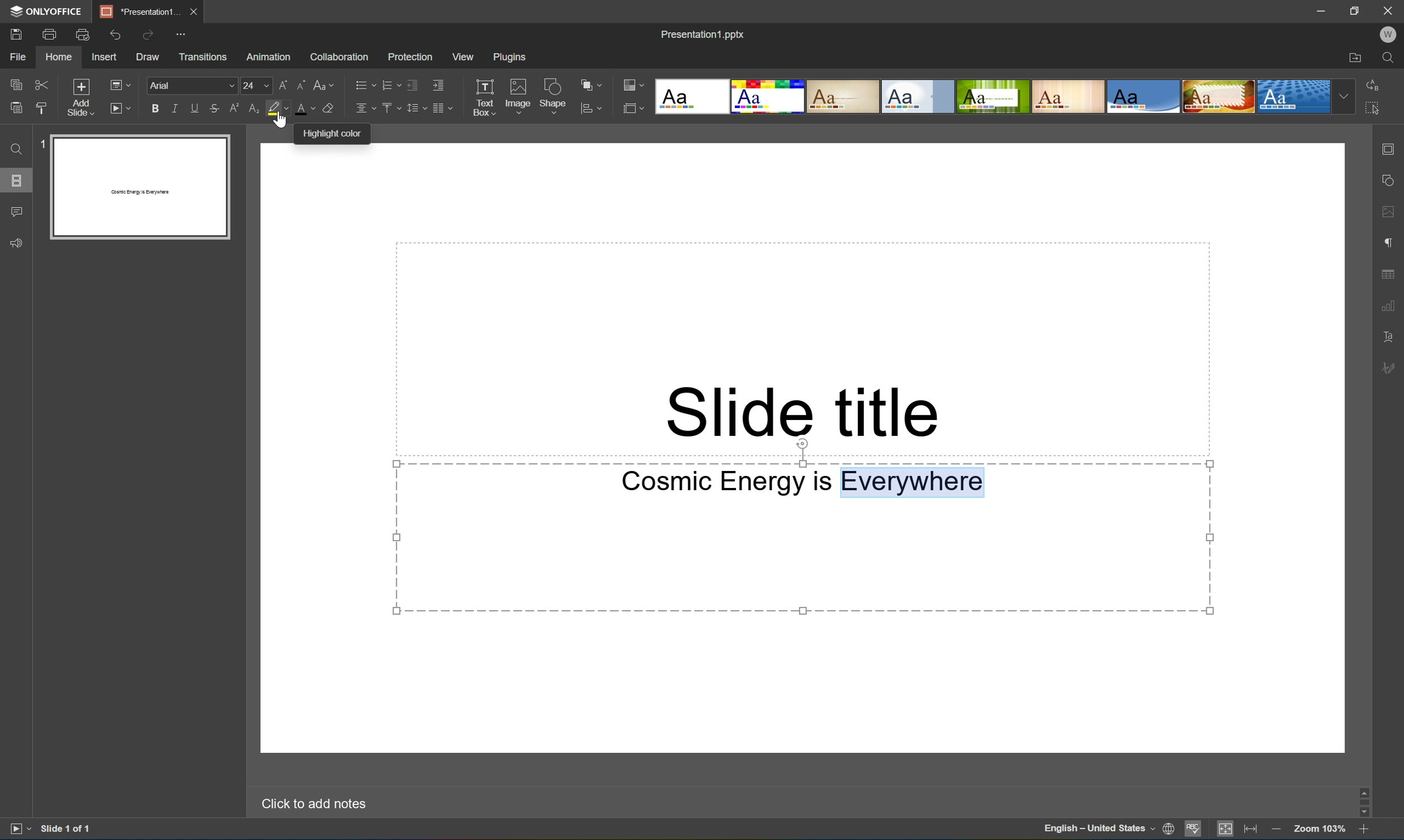  What do you see at coordinates (16, 211) in the screenshot?
I see `Comments` at bounding box center [16, 211].